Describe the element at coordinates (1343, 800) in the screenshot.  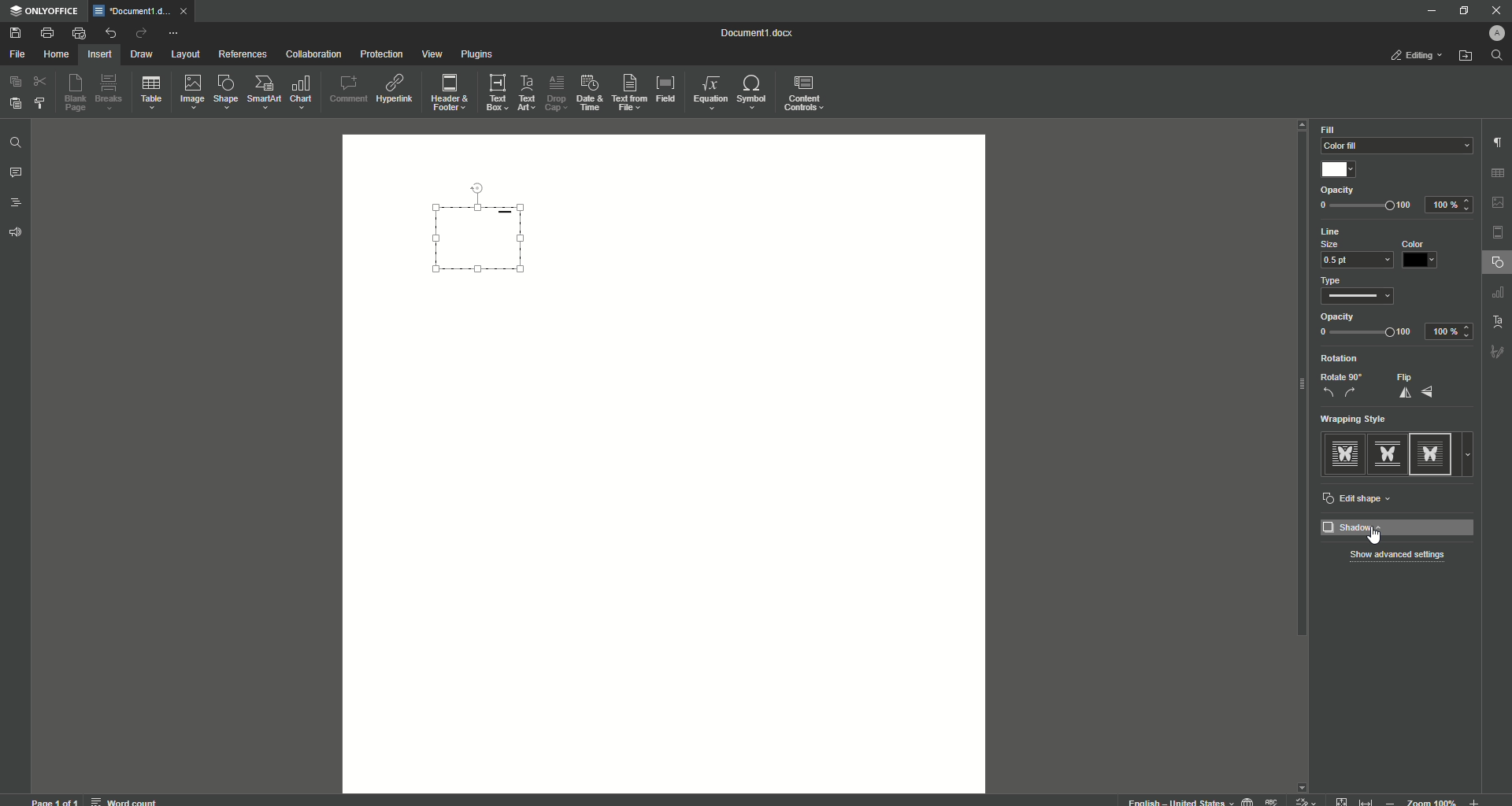
I see `fit to page` at that location.